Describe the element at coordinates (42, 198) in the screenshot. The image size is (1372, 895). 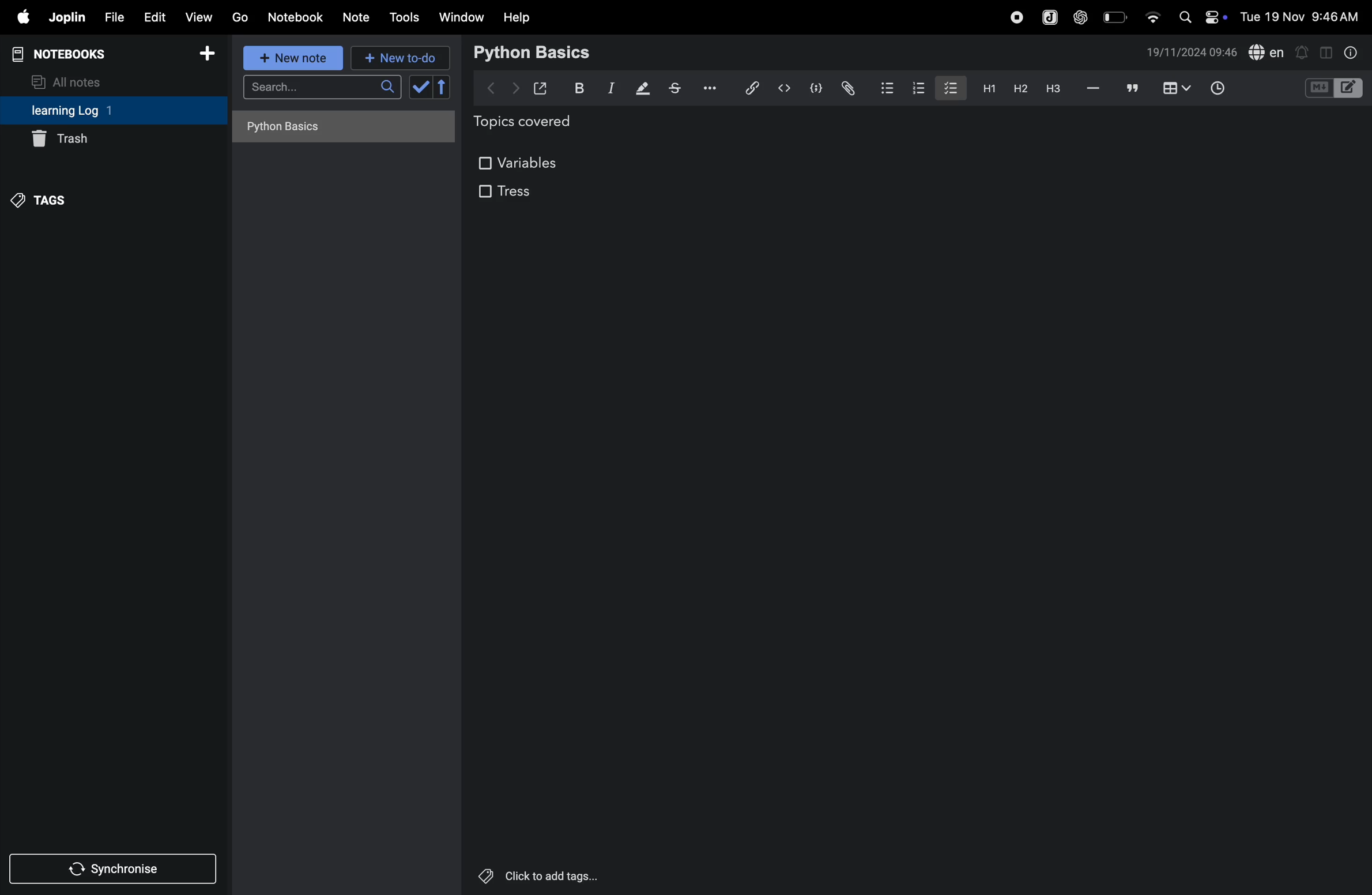
I see `tags` at that location.